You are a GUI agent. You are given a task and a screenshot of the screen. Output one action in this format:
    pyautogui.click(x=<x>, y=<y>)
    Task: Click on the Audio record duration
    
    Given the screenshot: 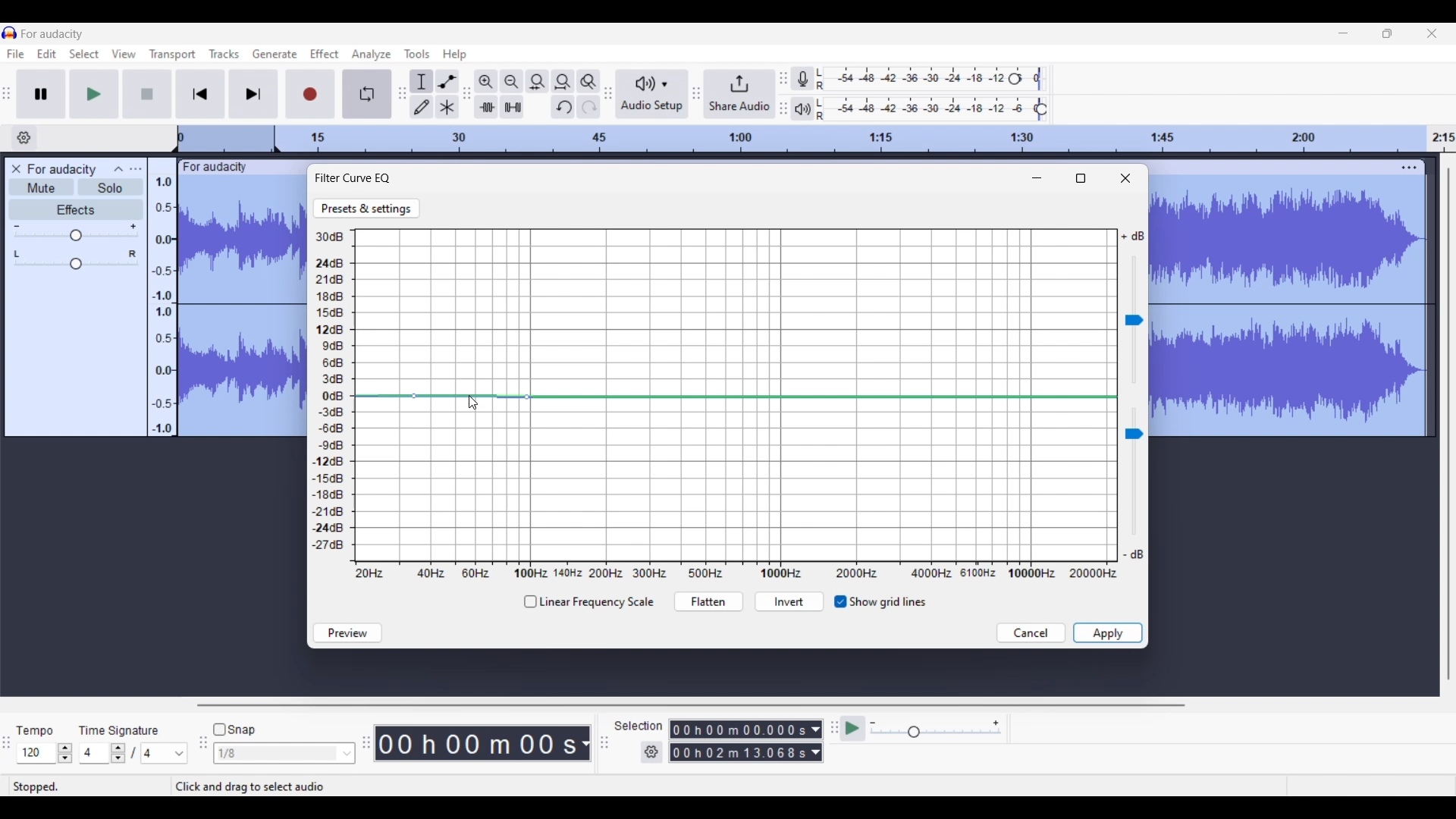 What is the action you would take?
    pyautogui.click(x=585, y=744)
    